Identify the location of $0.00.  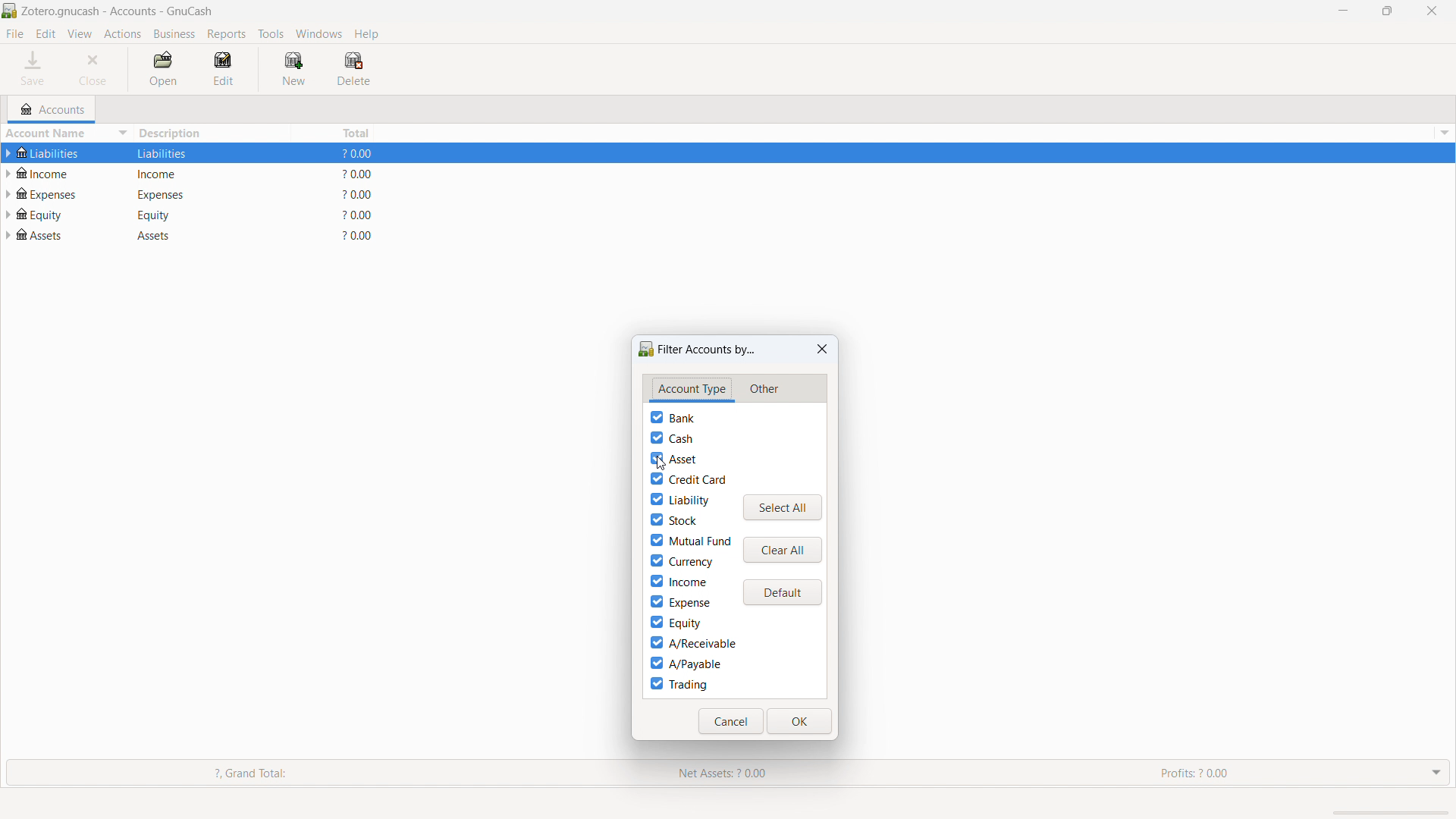
(359, 215).